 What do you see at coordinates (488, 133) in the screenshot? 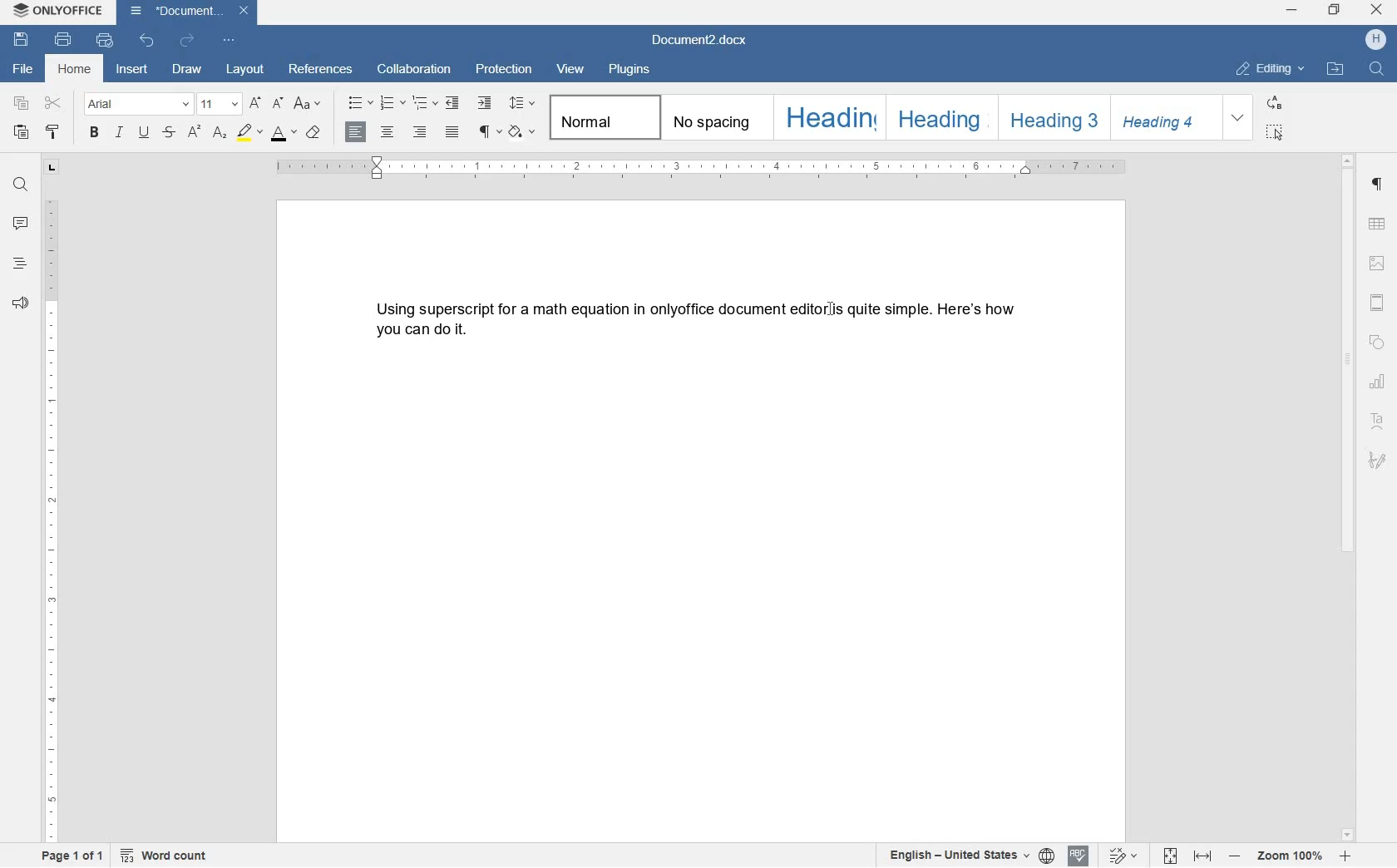
I see `non printing characters` at bounding box center [488, 133].